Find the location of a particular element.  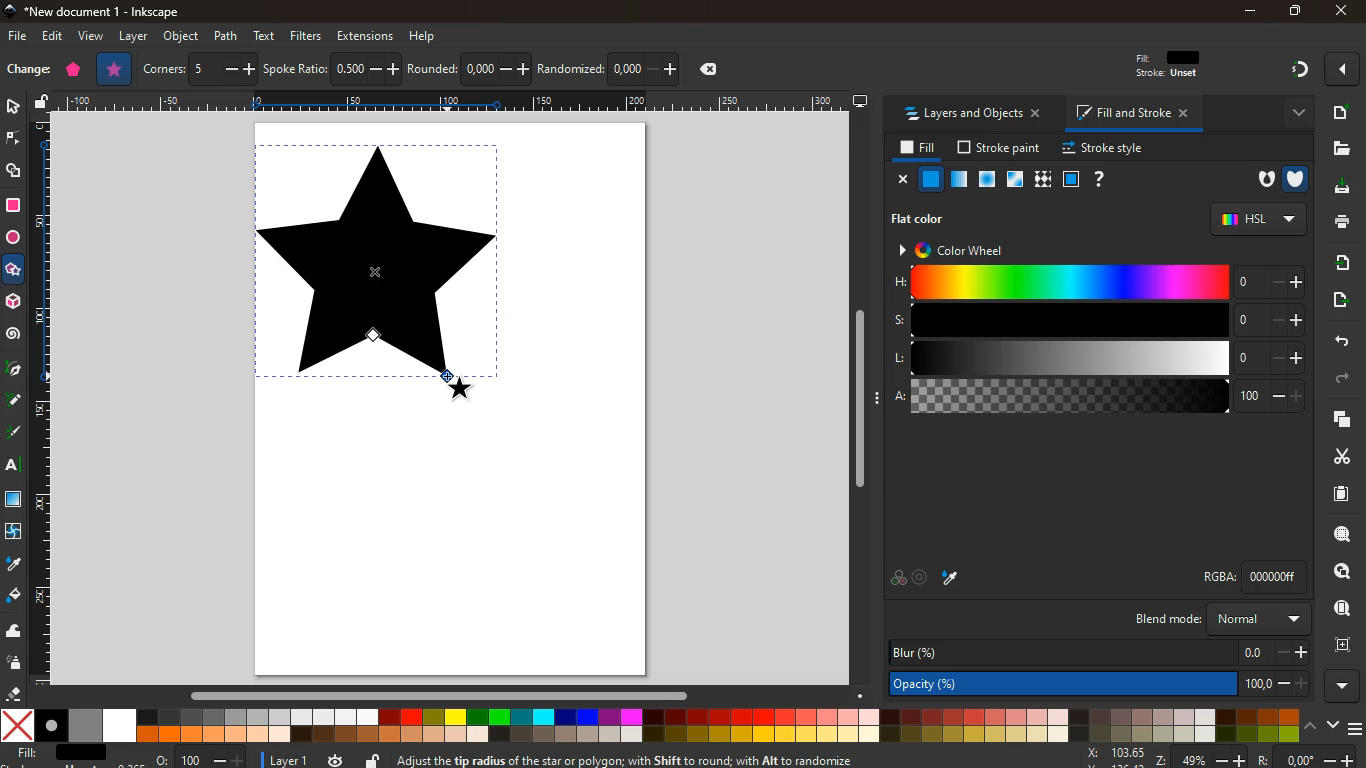

ice is located at coordinates (989, 180).